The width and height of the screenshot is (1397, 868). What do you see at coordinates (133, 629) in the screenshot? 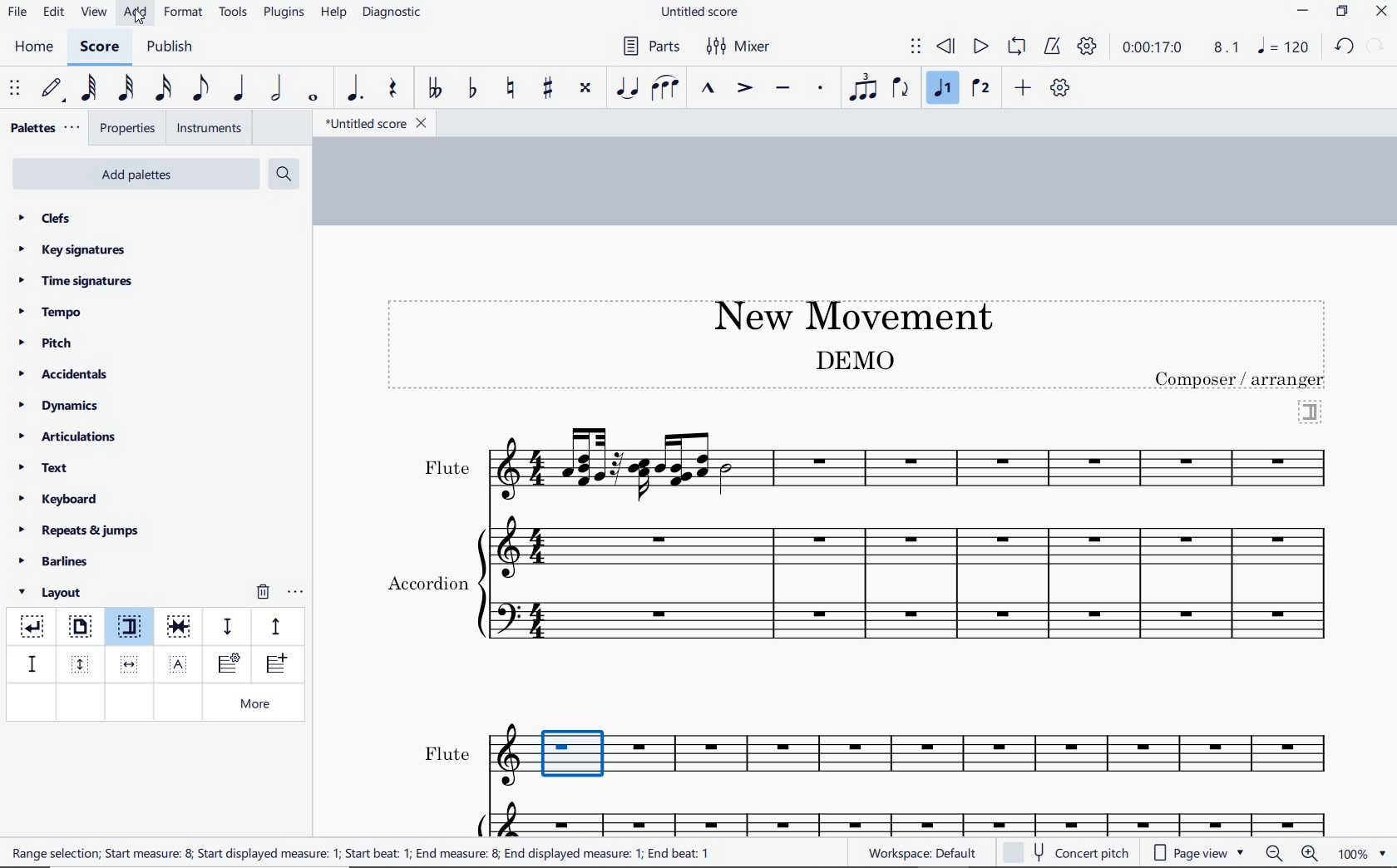
I see `section break` at bounding box center [133, 629].